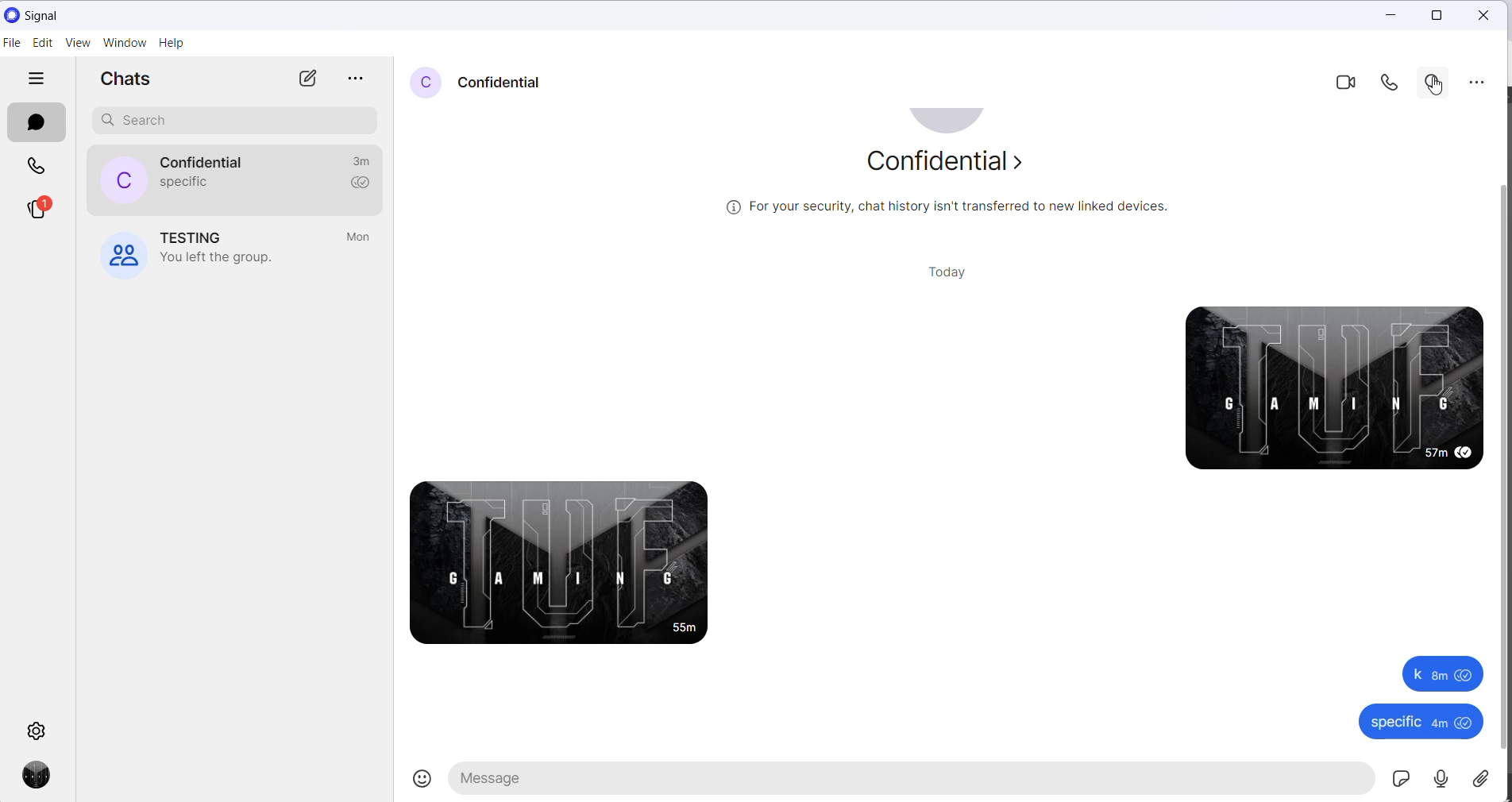  I want to click on contact name, so click(201, 161).